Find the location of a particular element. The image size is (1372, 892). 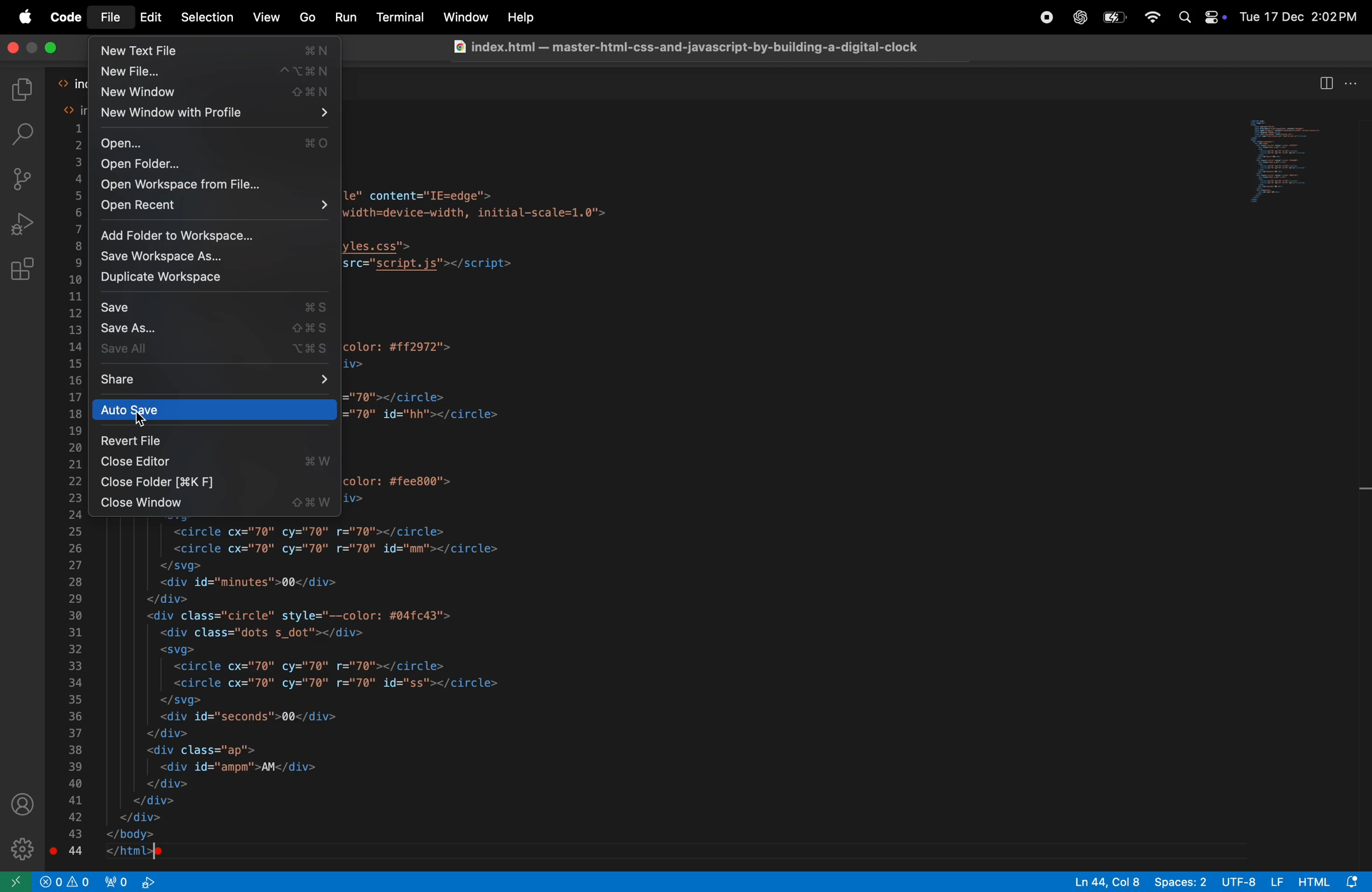

explorer is located at coordinates (28, 86).